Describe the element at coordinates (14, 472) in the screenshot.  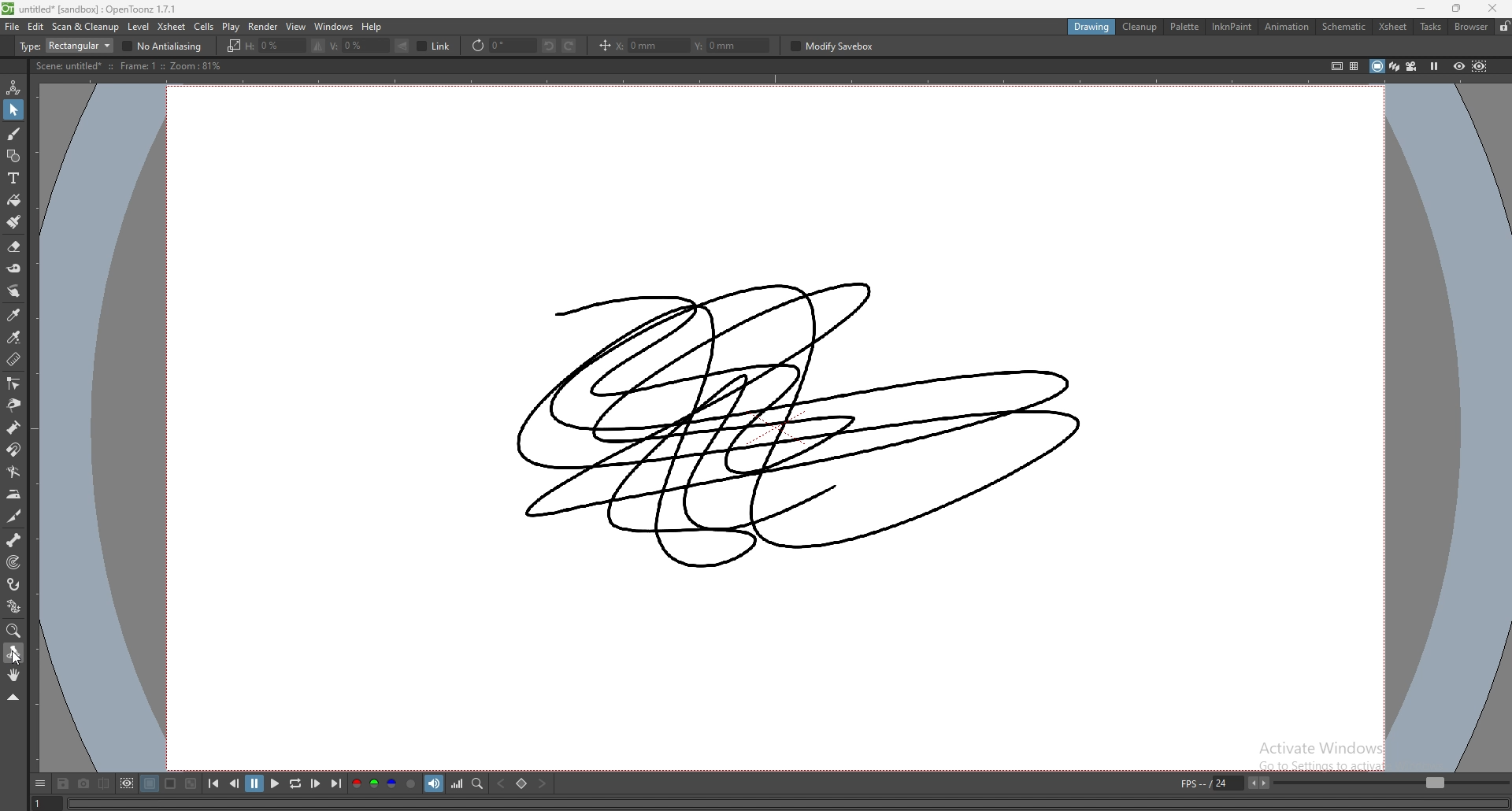
I see `bender` at that location.